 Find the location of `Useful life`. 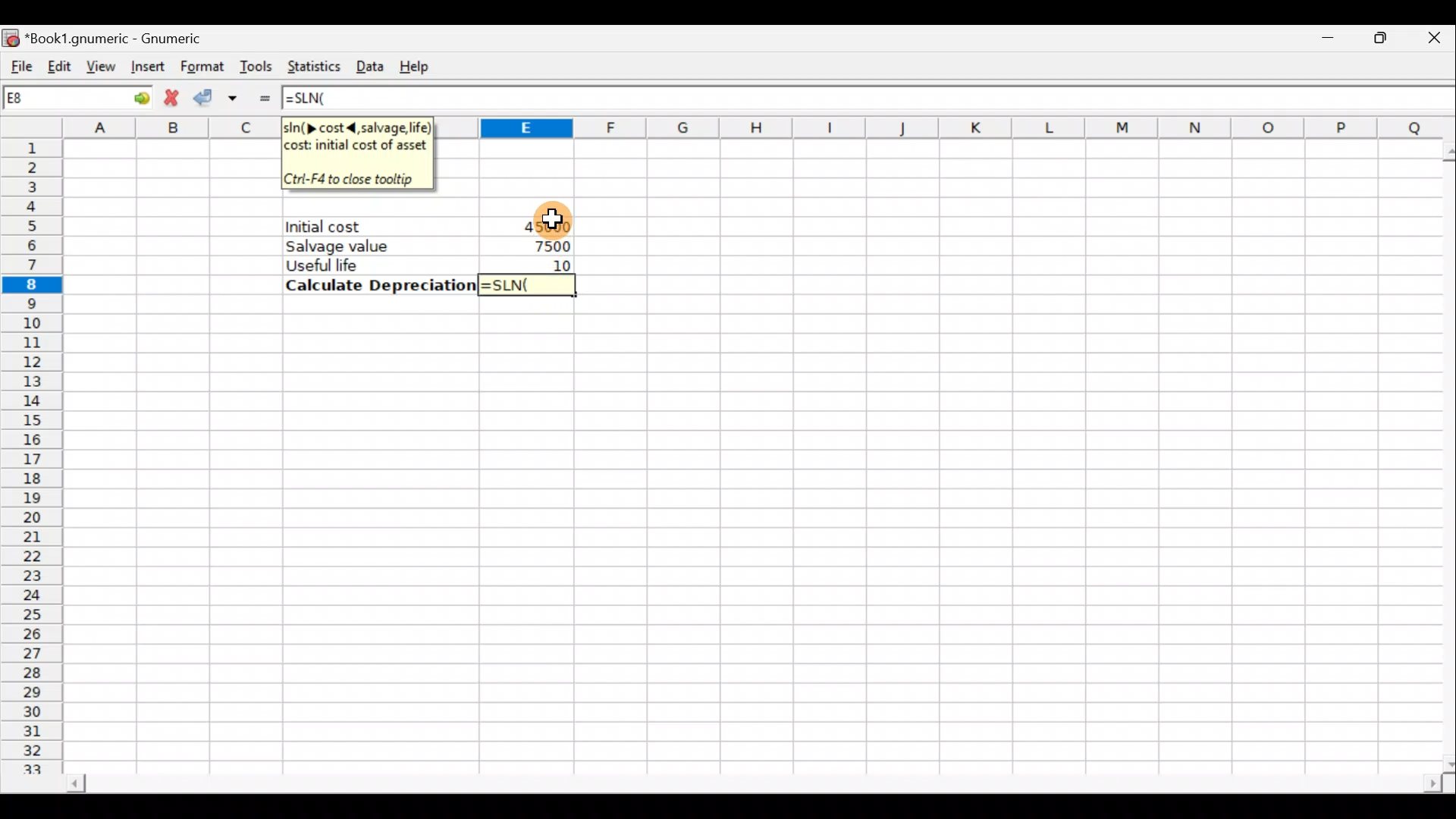

Useful life is located at coordinates (372, 265).